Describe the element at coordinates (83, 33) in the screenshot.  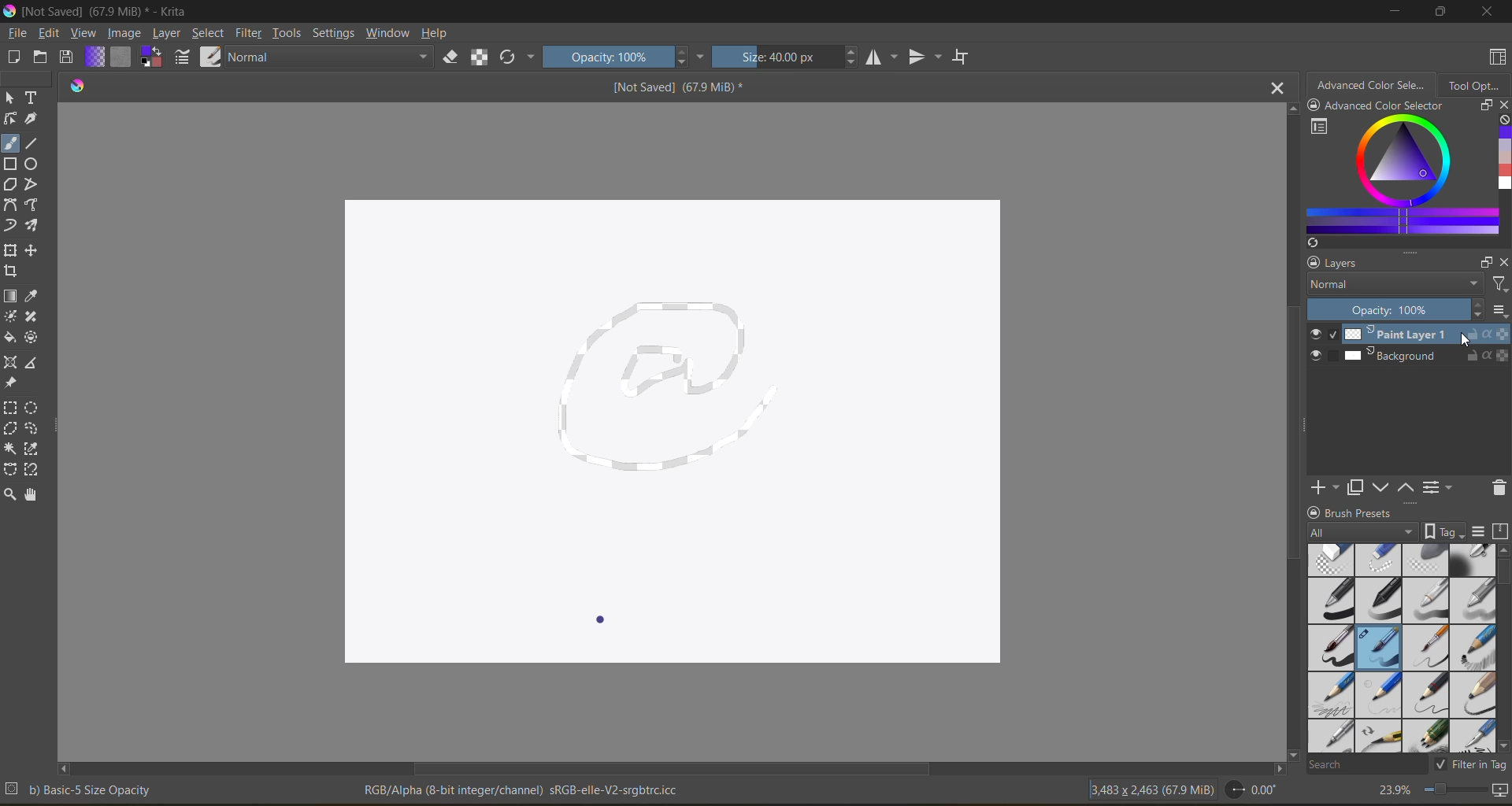
I see `view` at that location.